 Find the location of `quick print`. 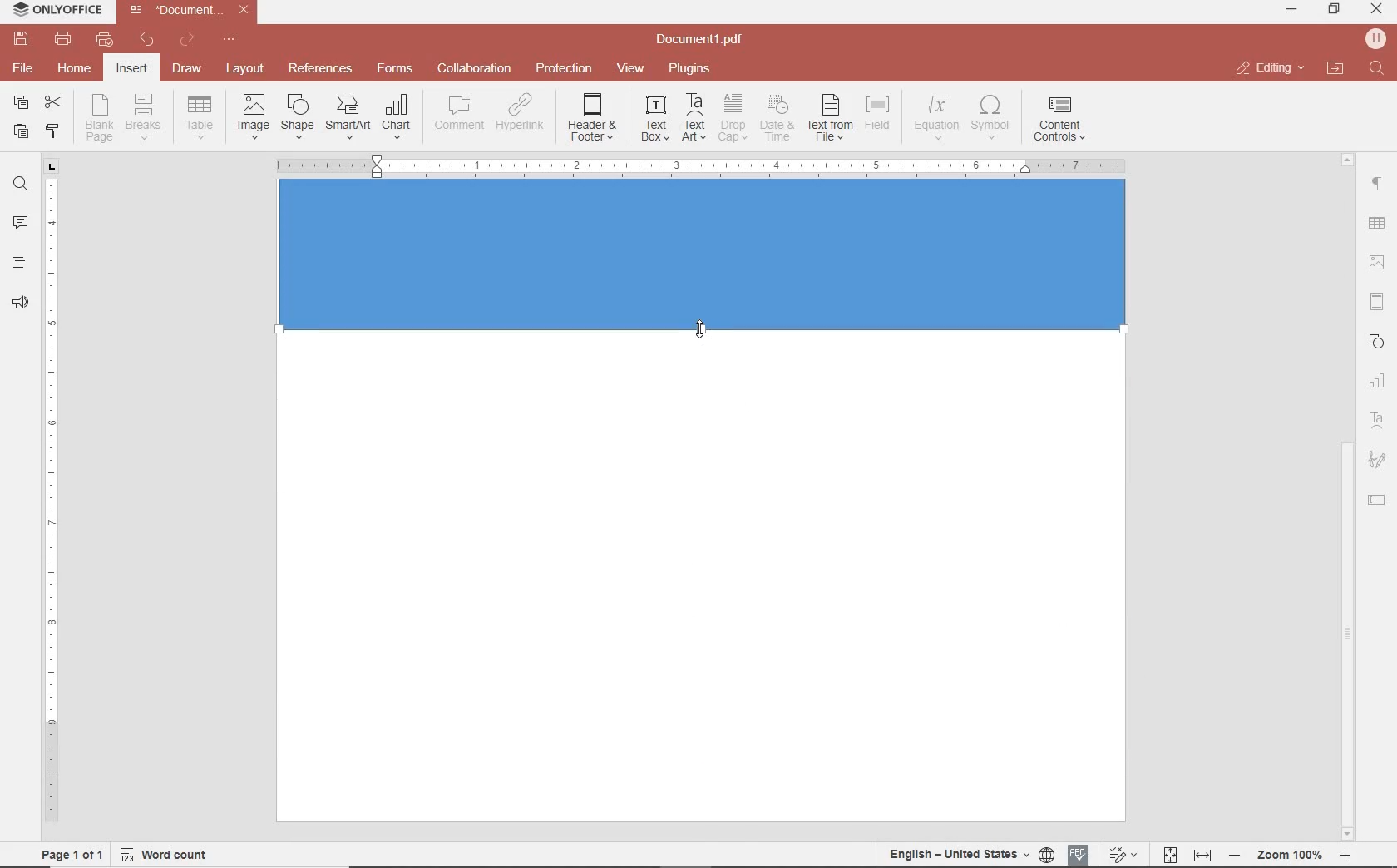

quick print is located at coordinates (103, 39).